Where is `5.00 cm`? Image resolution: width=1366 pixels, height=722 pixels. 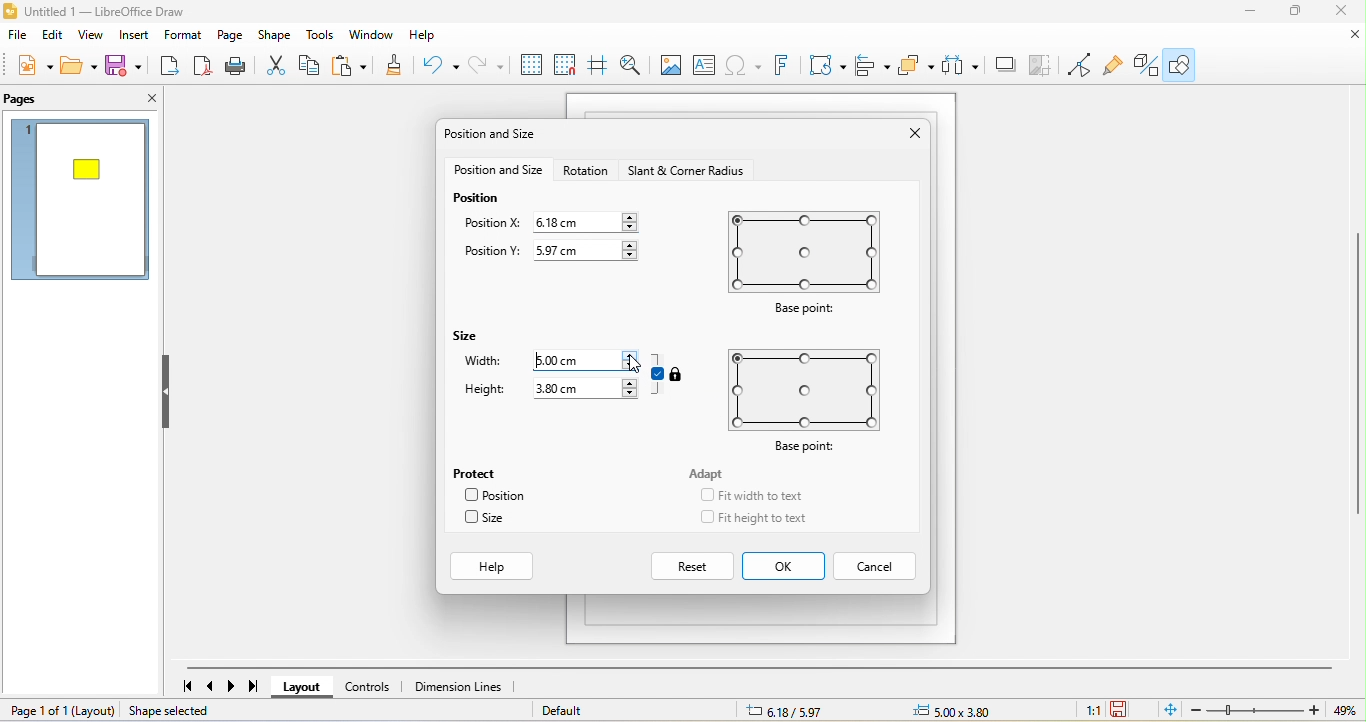
5.00 cm is located at coordinates (581, 359).